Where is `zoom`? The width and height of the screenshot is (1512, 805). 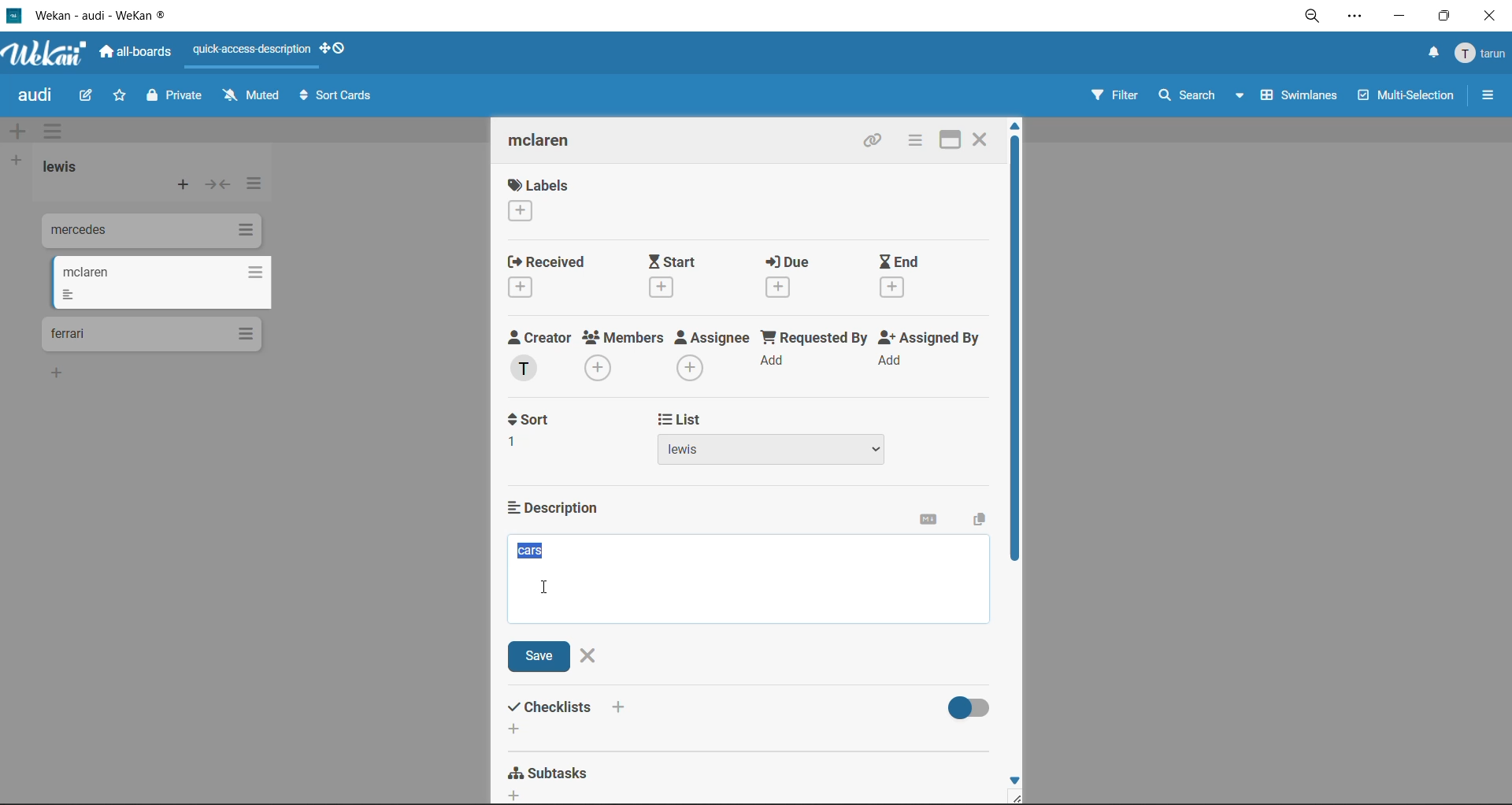
zoom is located at coordinates (1312, 17).